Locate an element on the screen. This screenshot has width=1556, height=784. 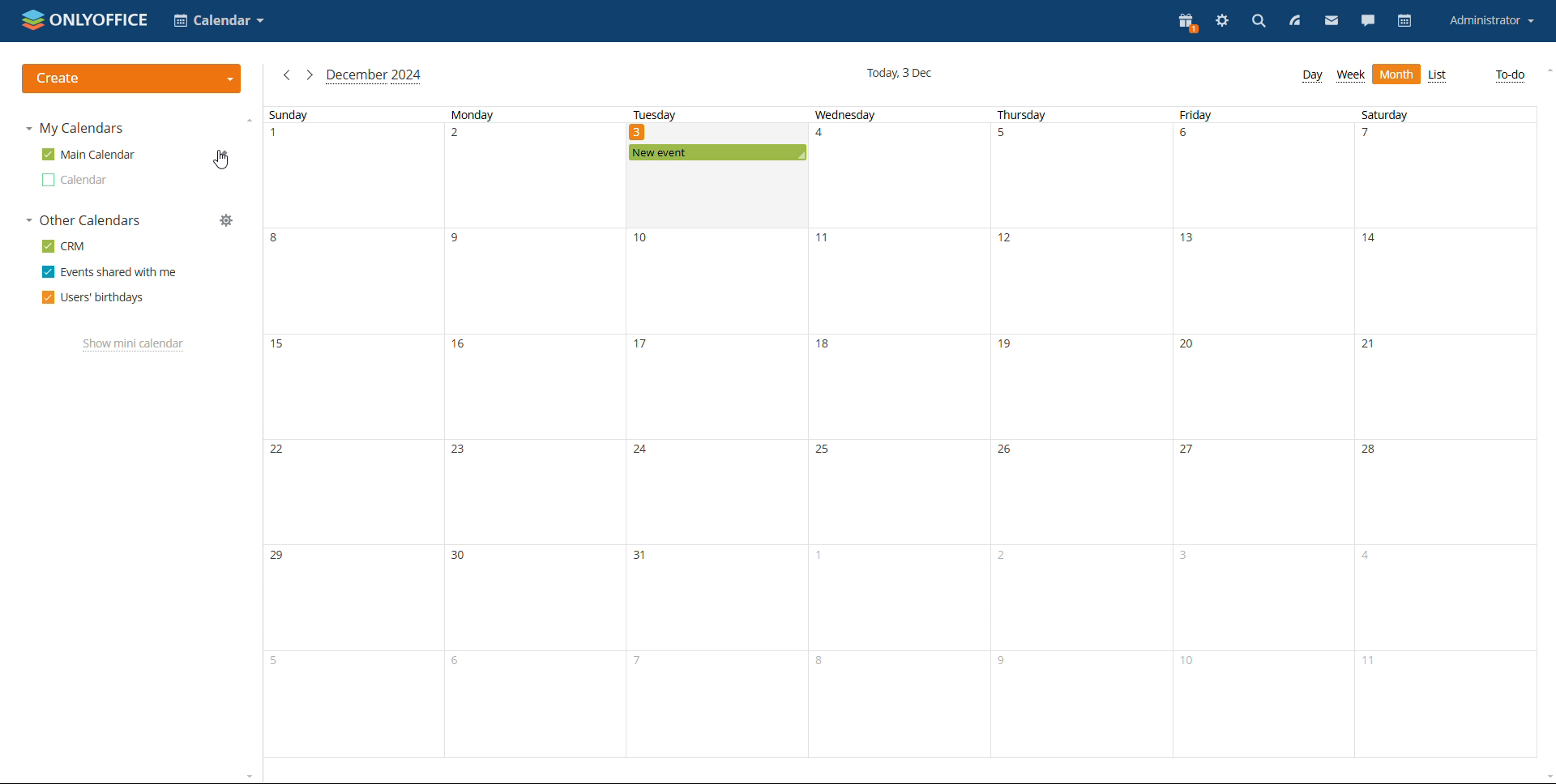
date is located at coordinates (532, 280).